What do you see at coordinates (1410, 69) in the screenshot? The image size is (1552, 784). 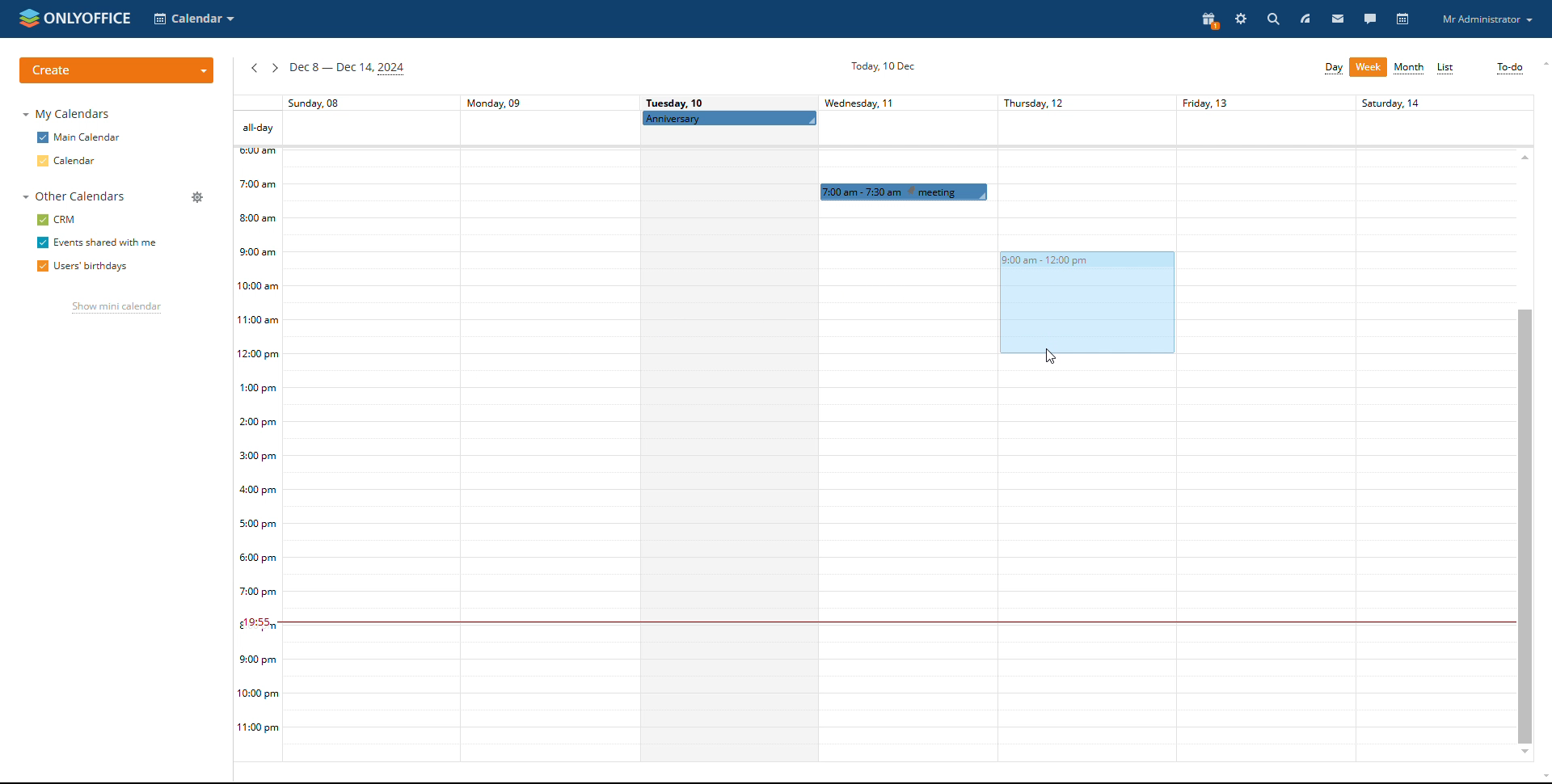 I see `month view` at bounding box center [1410, 69].